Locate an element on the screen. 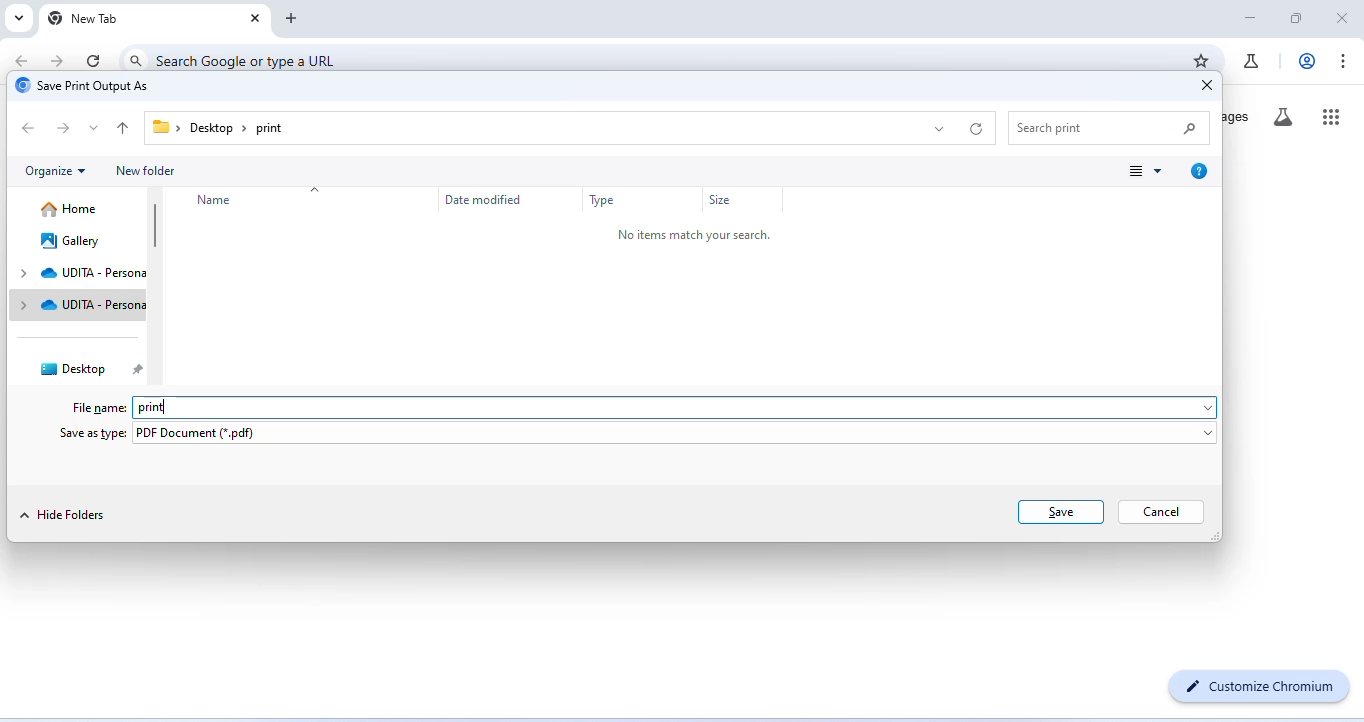 Image resolution: width=1364 pixels, height=722 pixels. refresh is located at coordinates (978, 129).